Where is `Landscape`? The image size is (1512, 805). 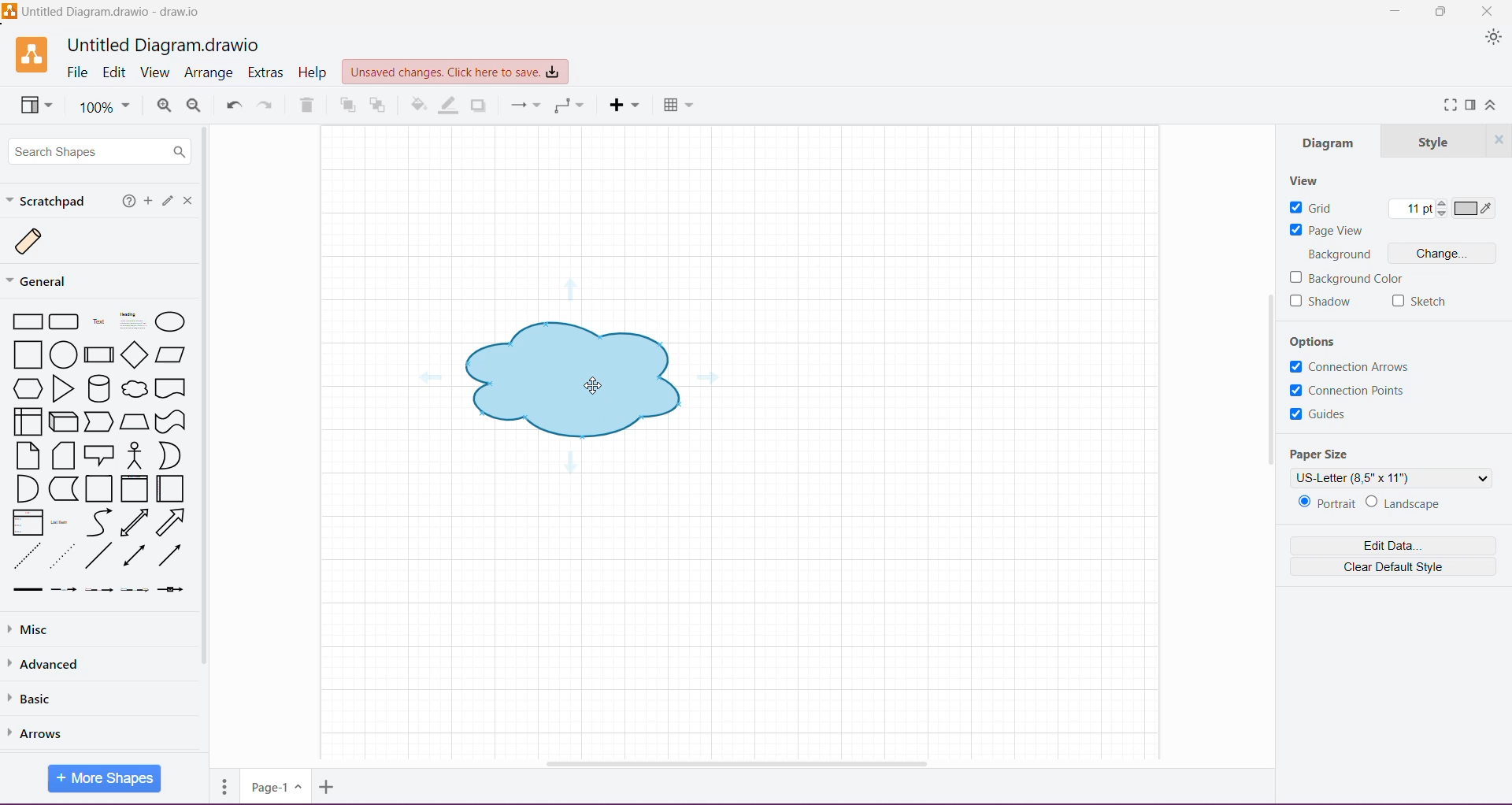
Landscape is located at coordinates (1412, 503).